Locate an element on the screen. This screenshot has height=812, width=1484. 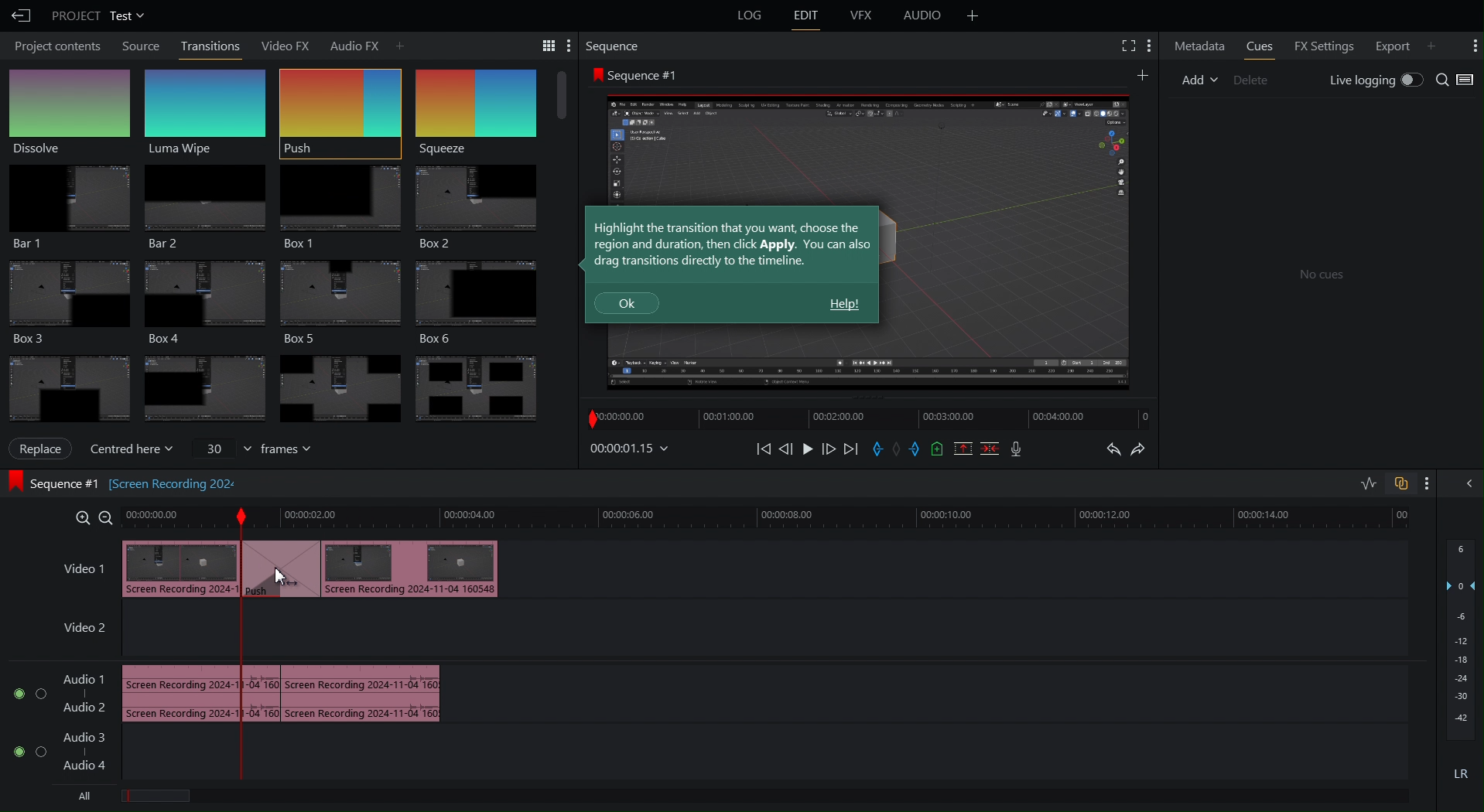
Add is located at coordinates (973, 15).